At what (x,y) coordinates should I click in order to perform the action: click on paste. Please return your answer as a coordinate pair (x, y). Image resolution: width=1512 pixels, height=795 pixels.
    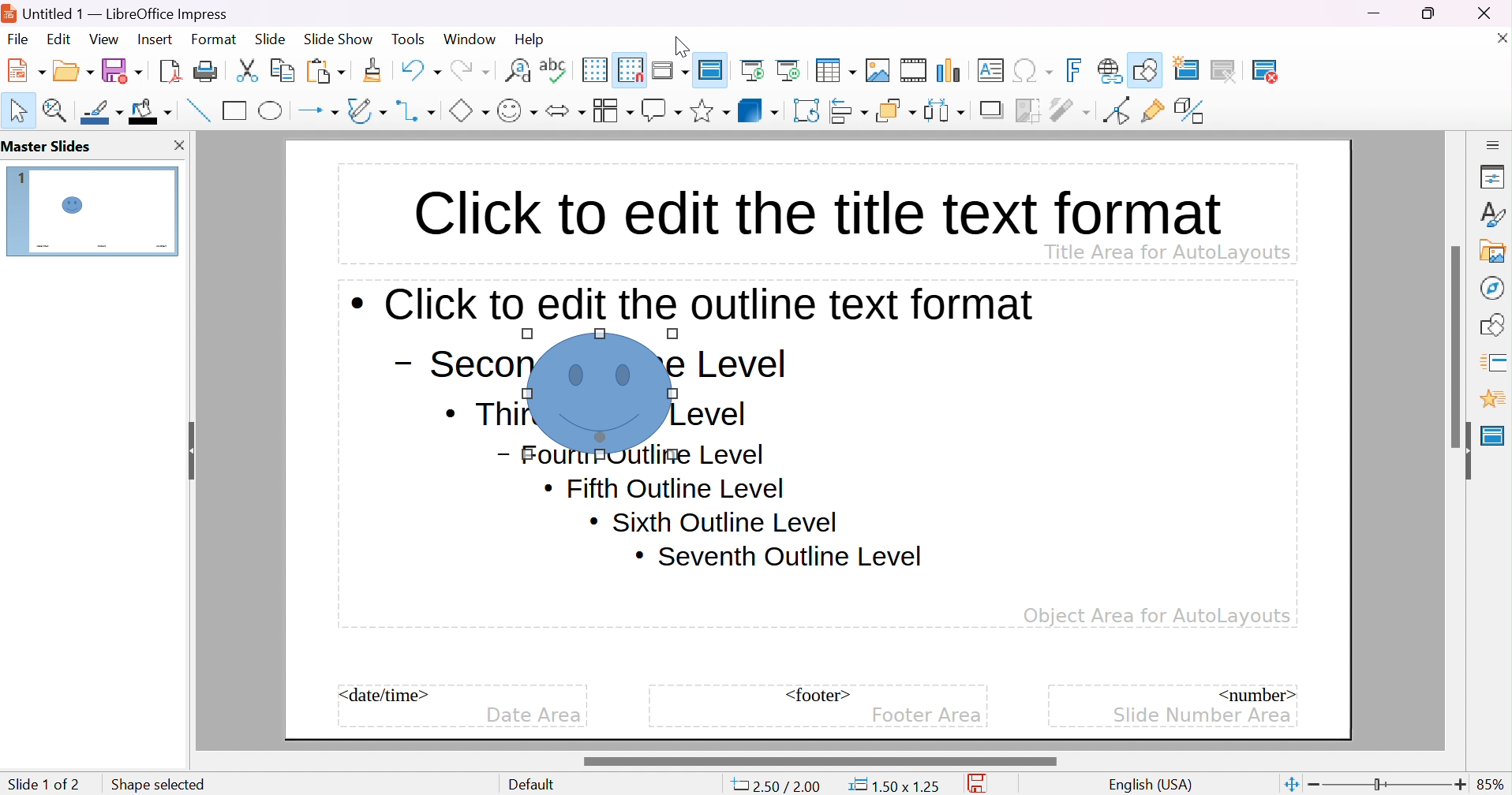
    Looking at the image, I should click on (326, 69).